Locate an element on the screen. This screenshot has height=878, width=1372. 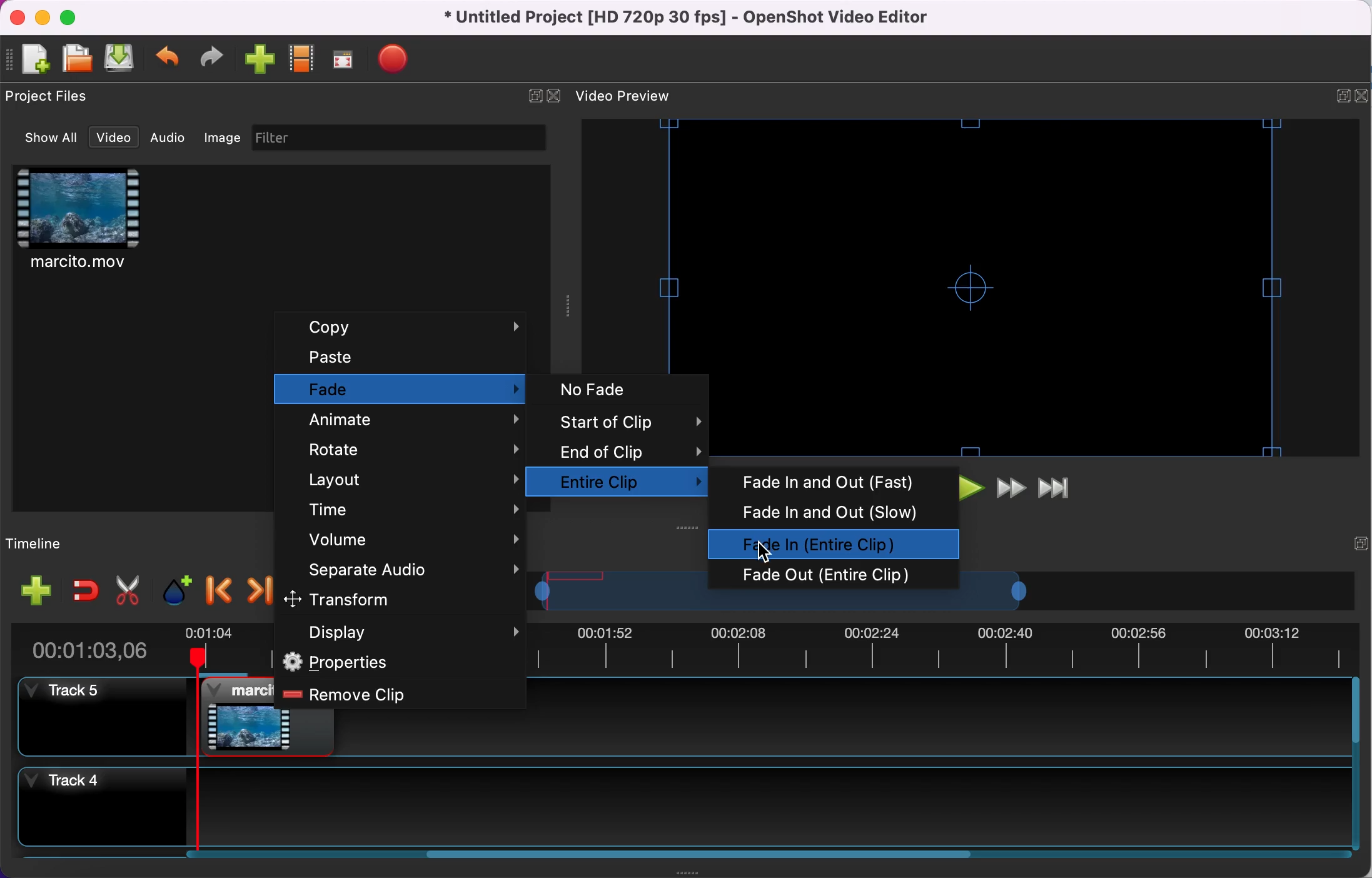
add track is located at coordinates (35, 590).